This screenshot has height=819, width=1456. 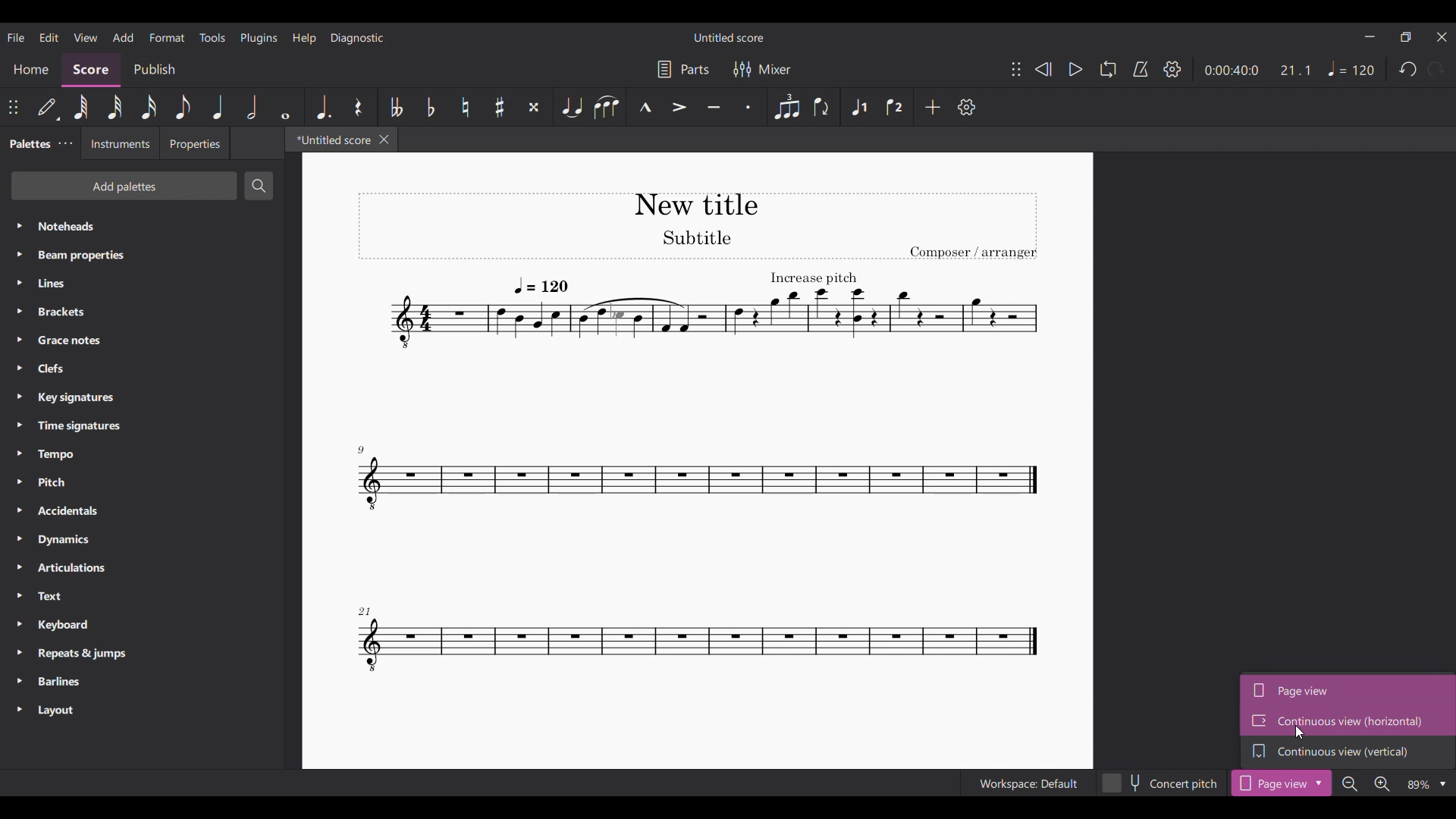 I want to click on Palettes, so click(x=28, y=143).